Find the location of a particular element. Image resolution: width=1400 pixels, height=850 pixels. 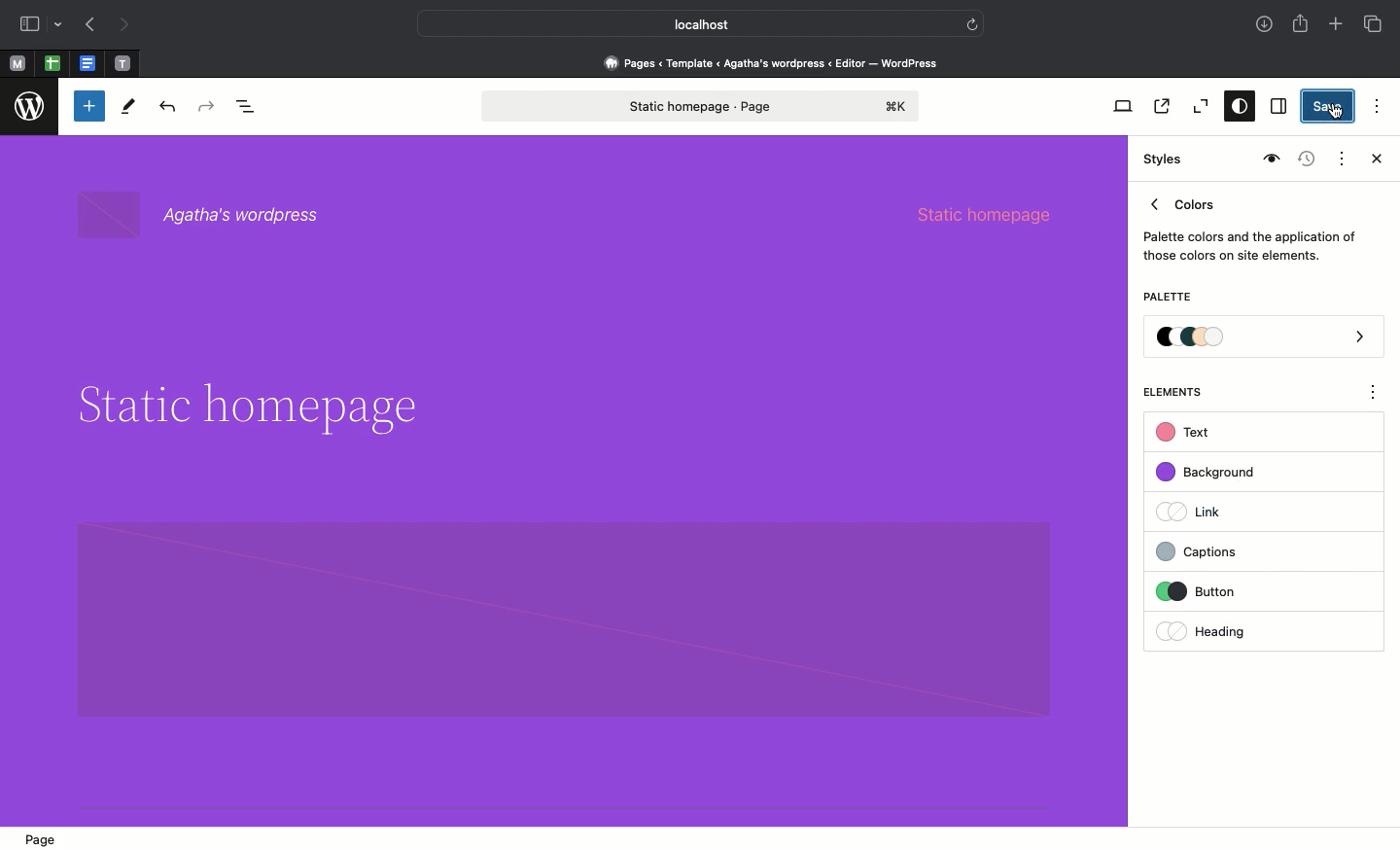

captions is located at coordinates (1231, 549).